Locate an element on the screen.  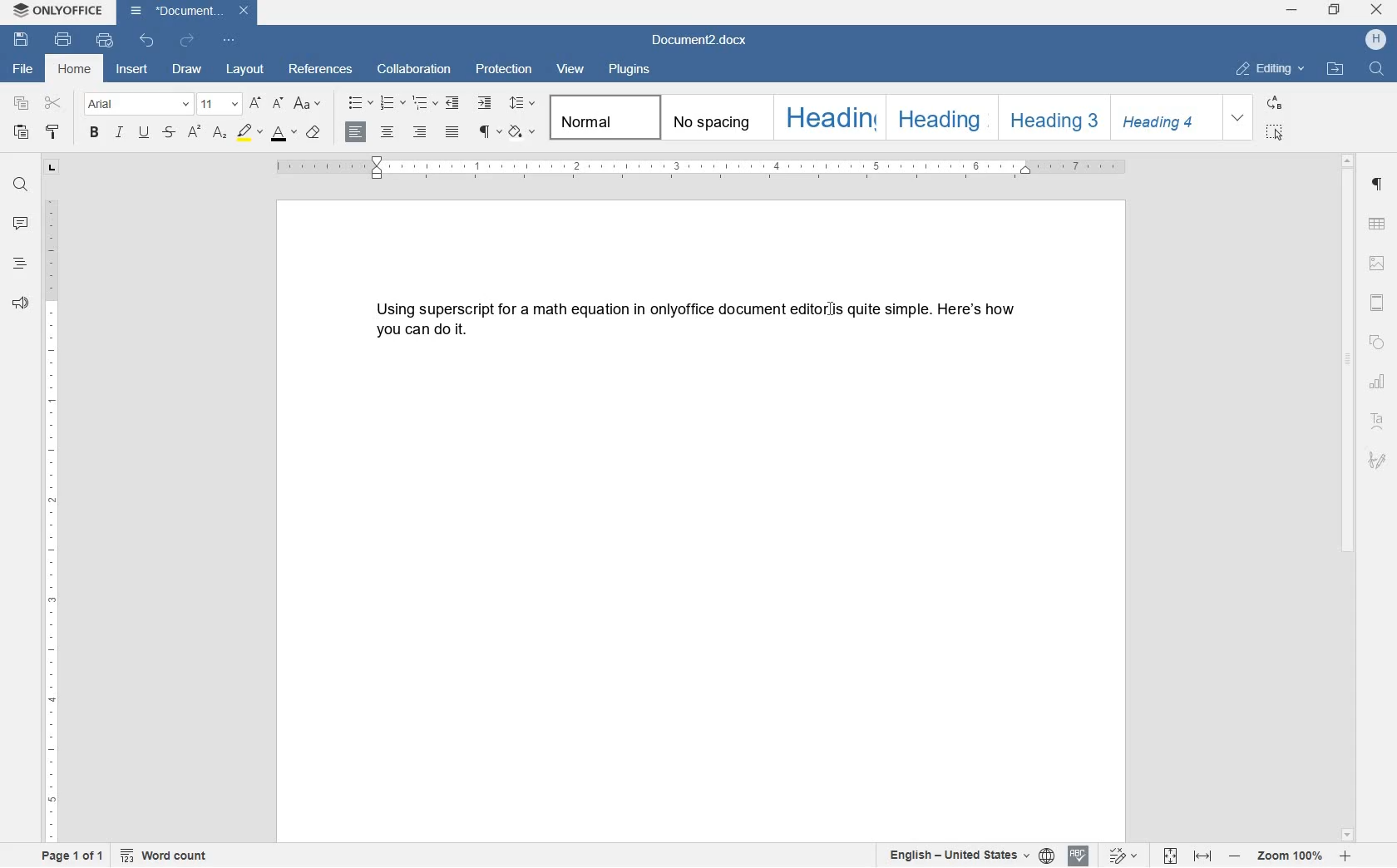
comment is located at coordinates (20, 224).